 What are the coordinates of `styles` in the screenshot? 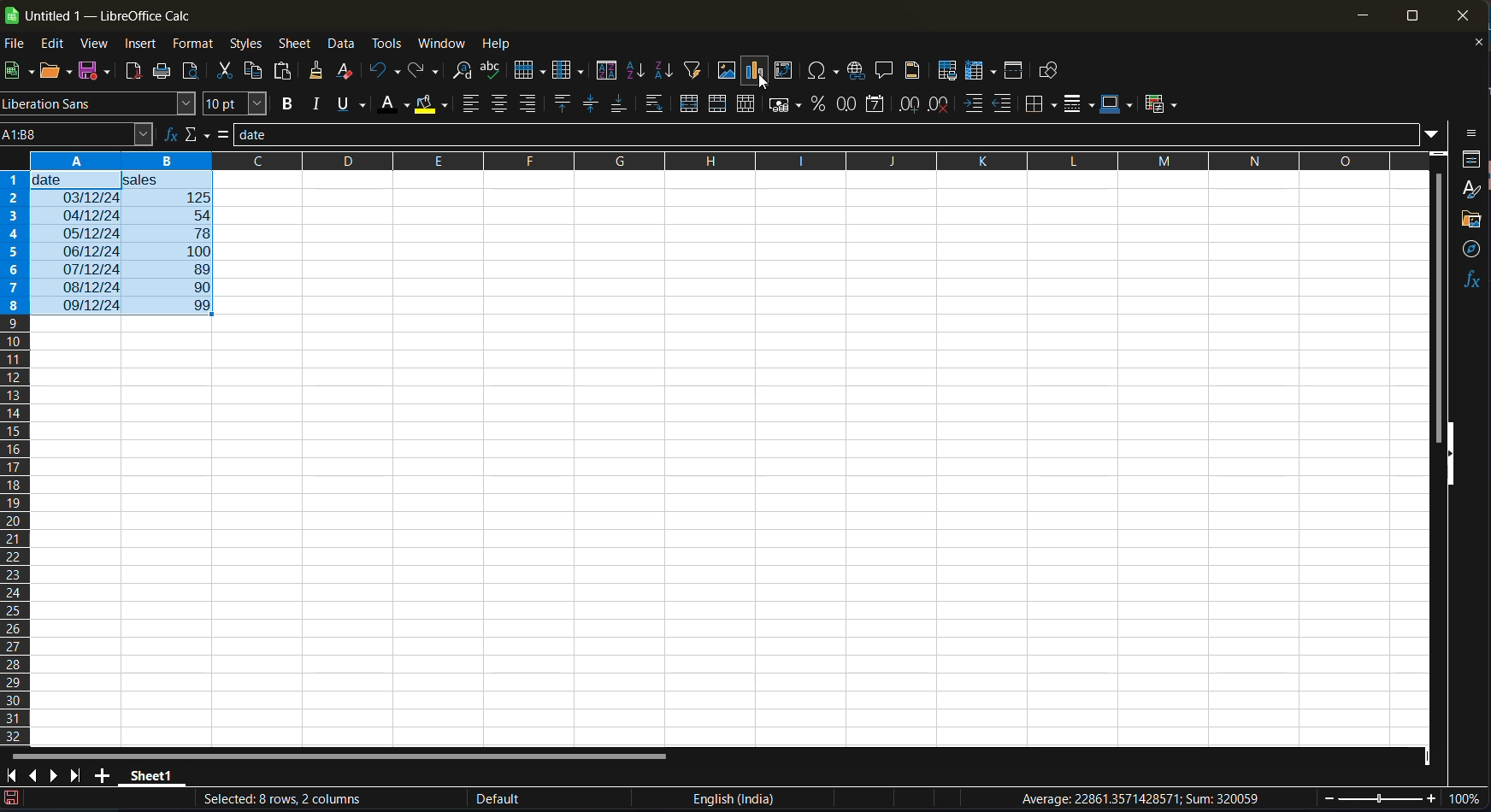 It's located at (1471, 190).